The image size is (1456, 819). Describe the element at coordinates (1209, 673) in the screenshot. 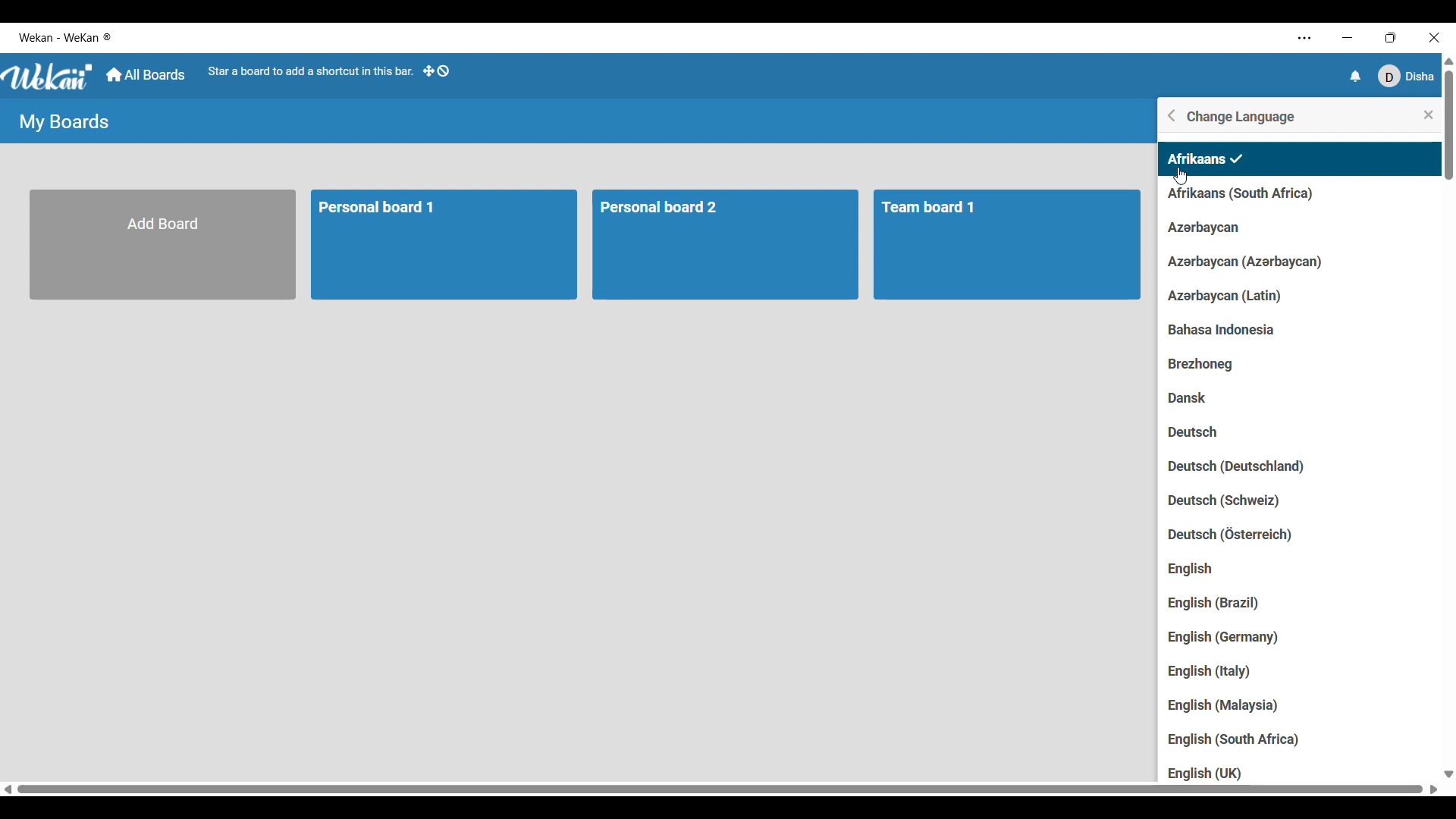

I see `English (Italy)` at that location.